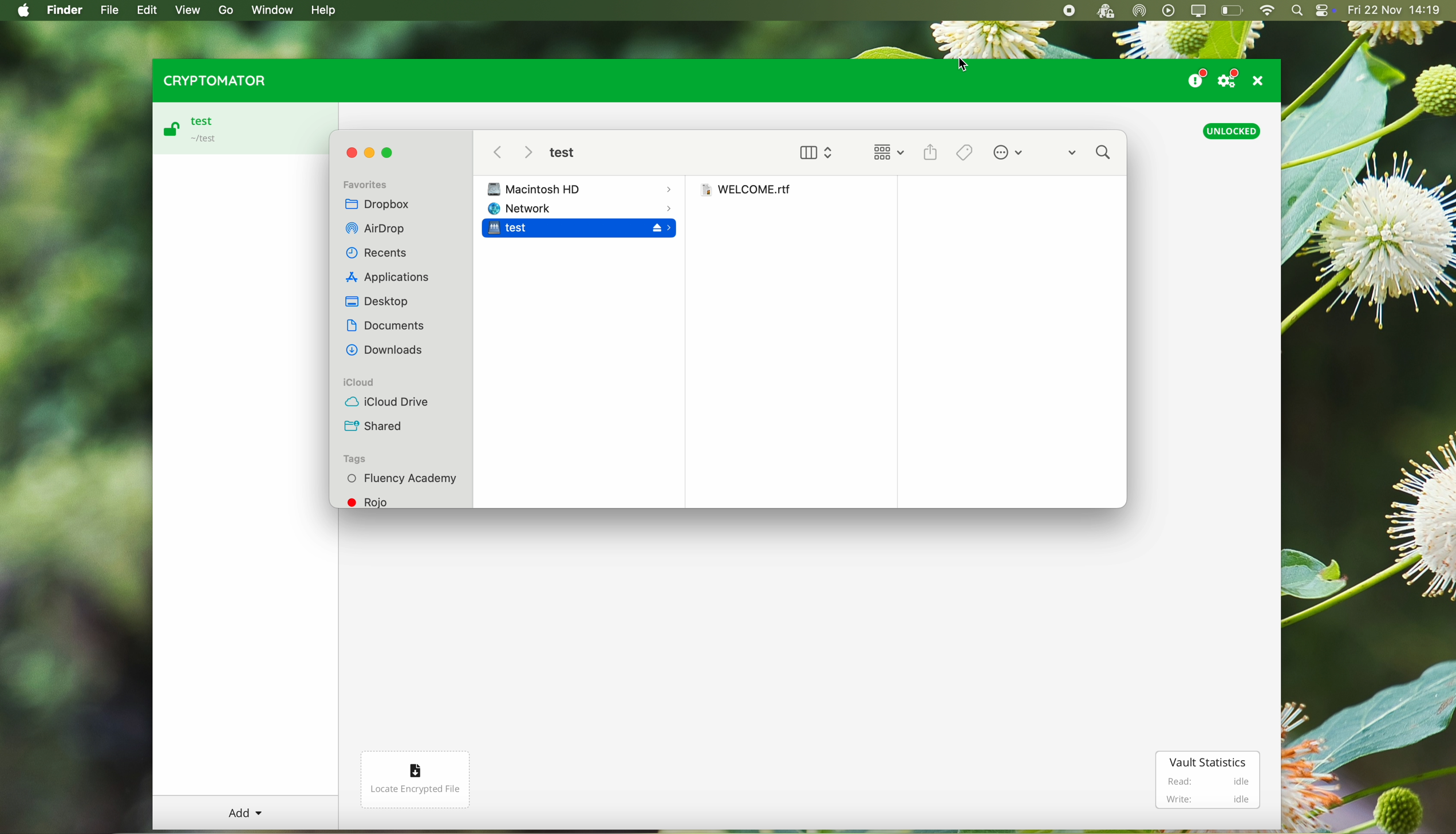 The width and height of the screenshot is (1456, 834). Describe the element at coordinates (375, 231) in the screenshot. I see `airdrop` at that location.